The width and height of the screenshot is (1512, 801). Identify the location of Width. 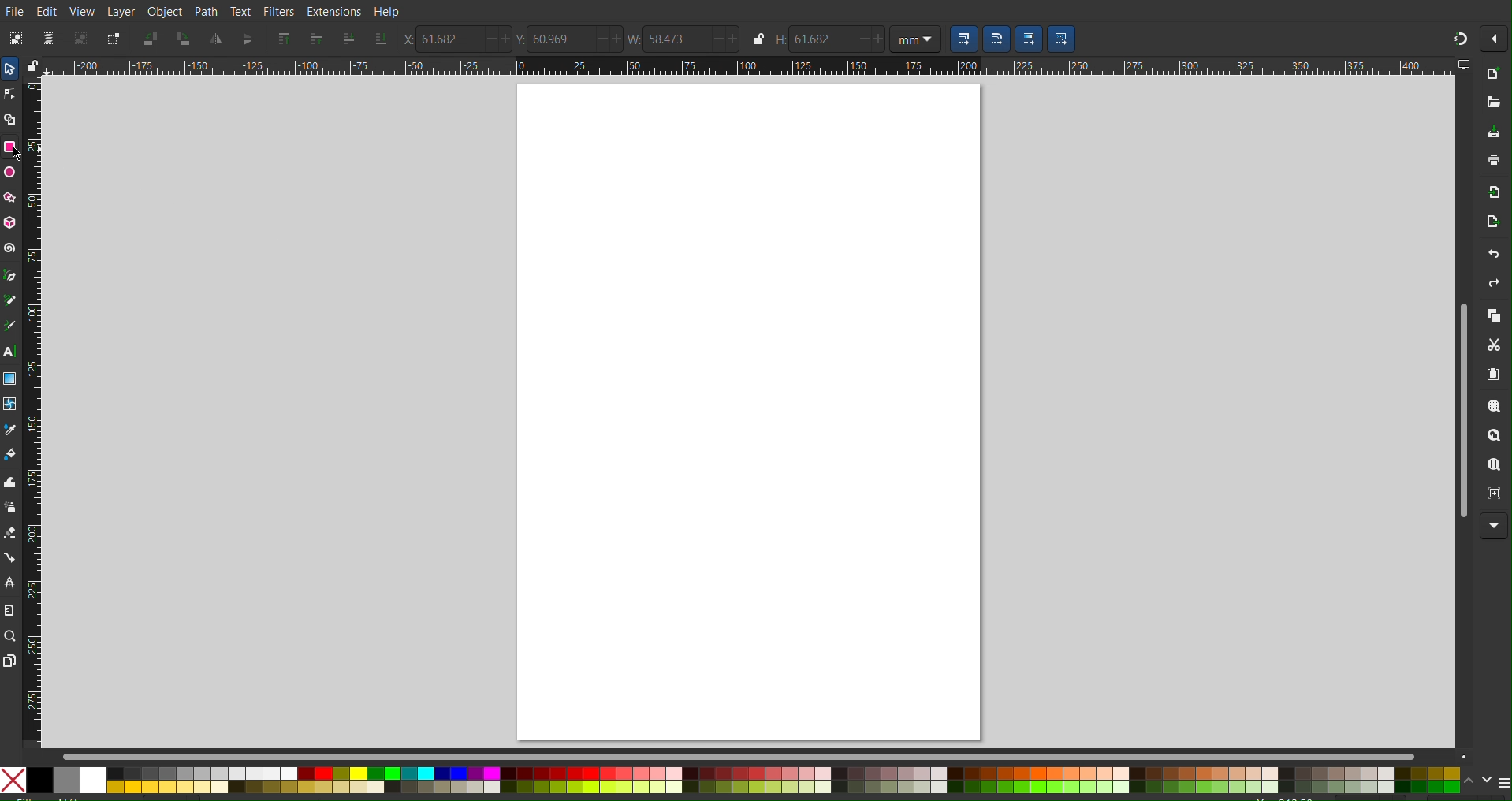
(632, 39).